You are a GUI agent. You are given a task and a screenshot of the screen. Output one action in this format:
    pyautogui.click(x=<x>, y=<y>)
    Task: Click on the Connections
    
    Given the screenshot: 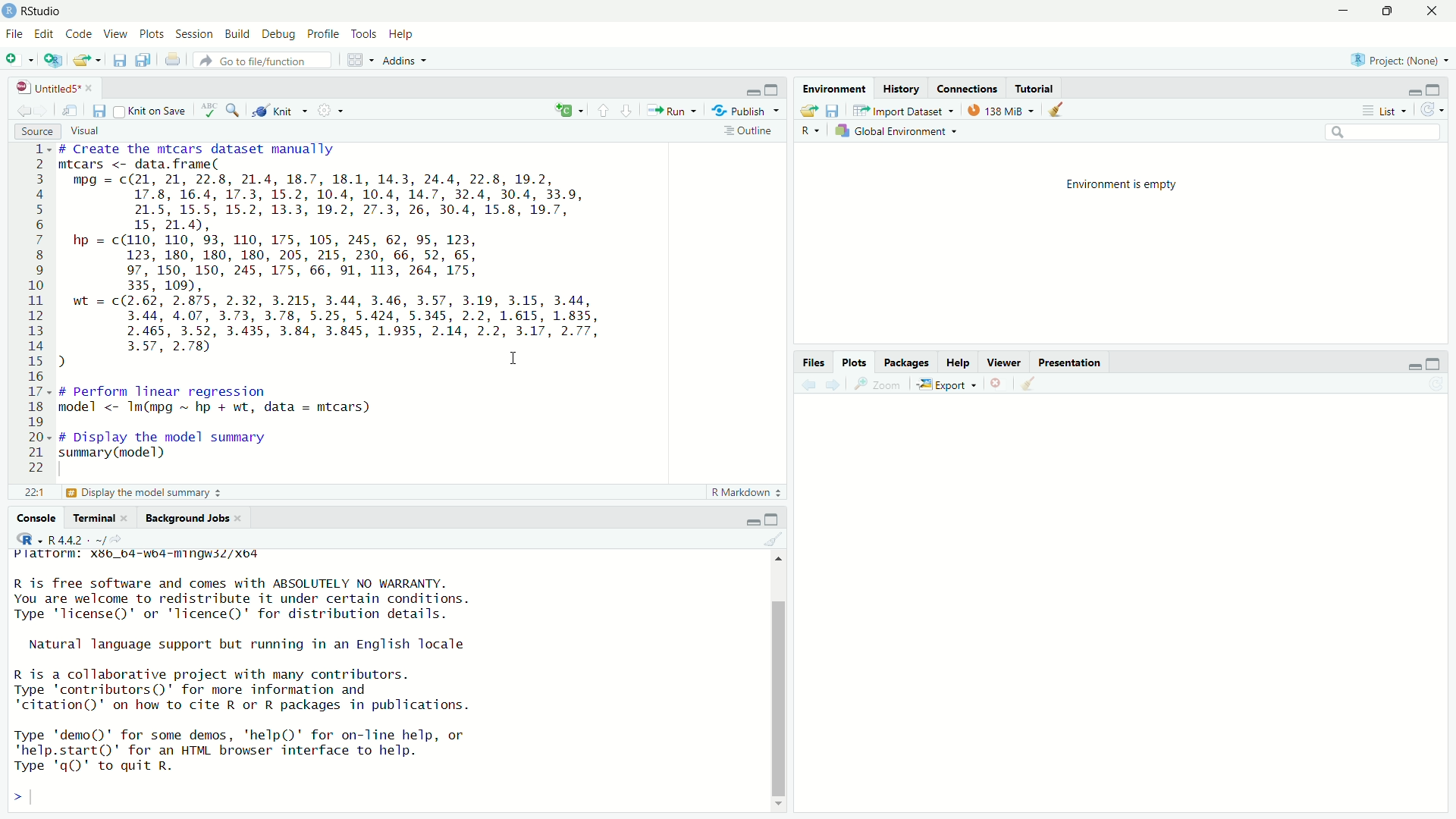 What is the action you would take?
    pyautogui.click(x=968, y=89)
    